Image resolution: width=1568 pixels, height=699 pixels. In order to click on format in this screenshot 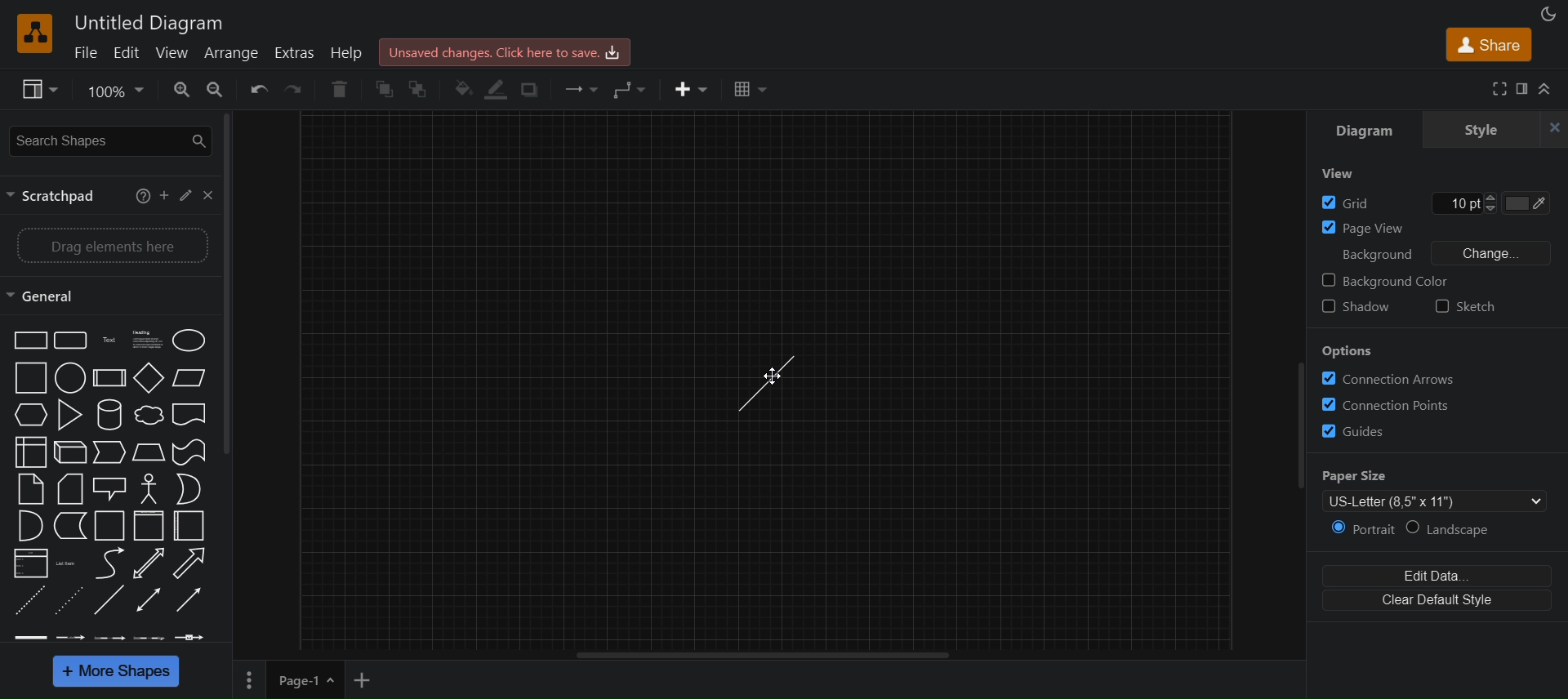, I will do `click(1525, 89)`.